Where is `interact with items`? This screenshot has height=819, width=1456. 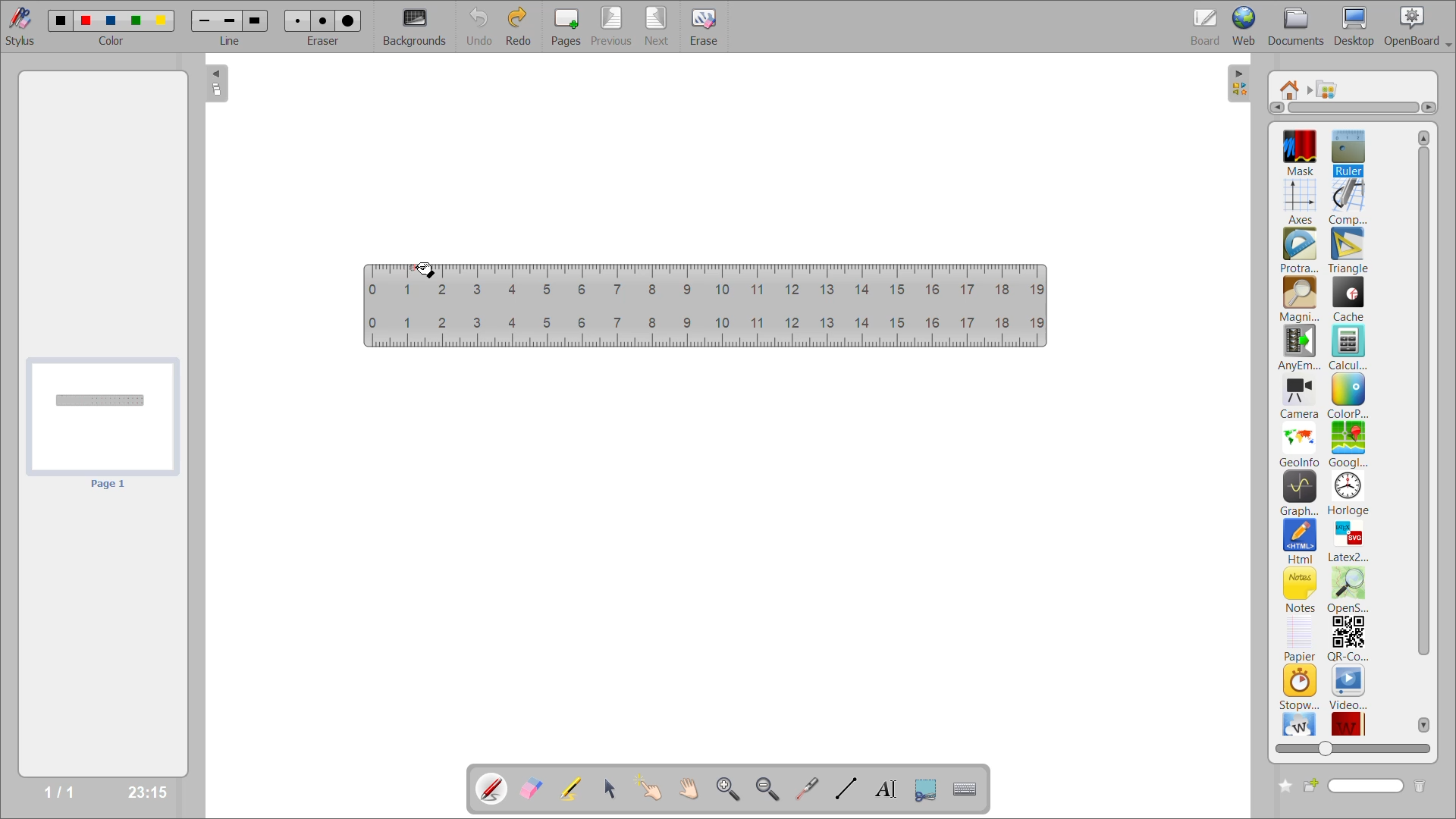
interact with items is located at coordinates (653, 789).